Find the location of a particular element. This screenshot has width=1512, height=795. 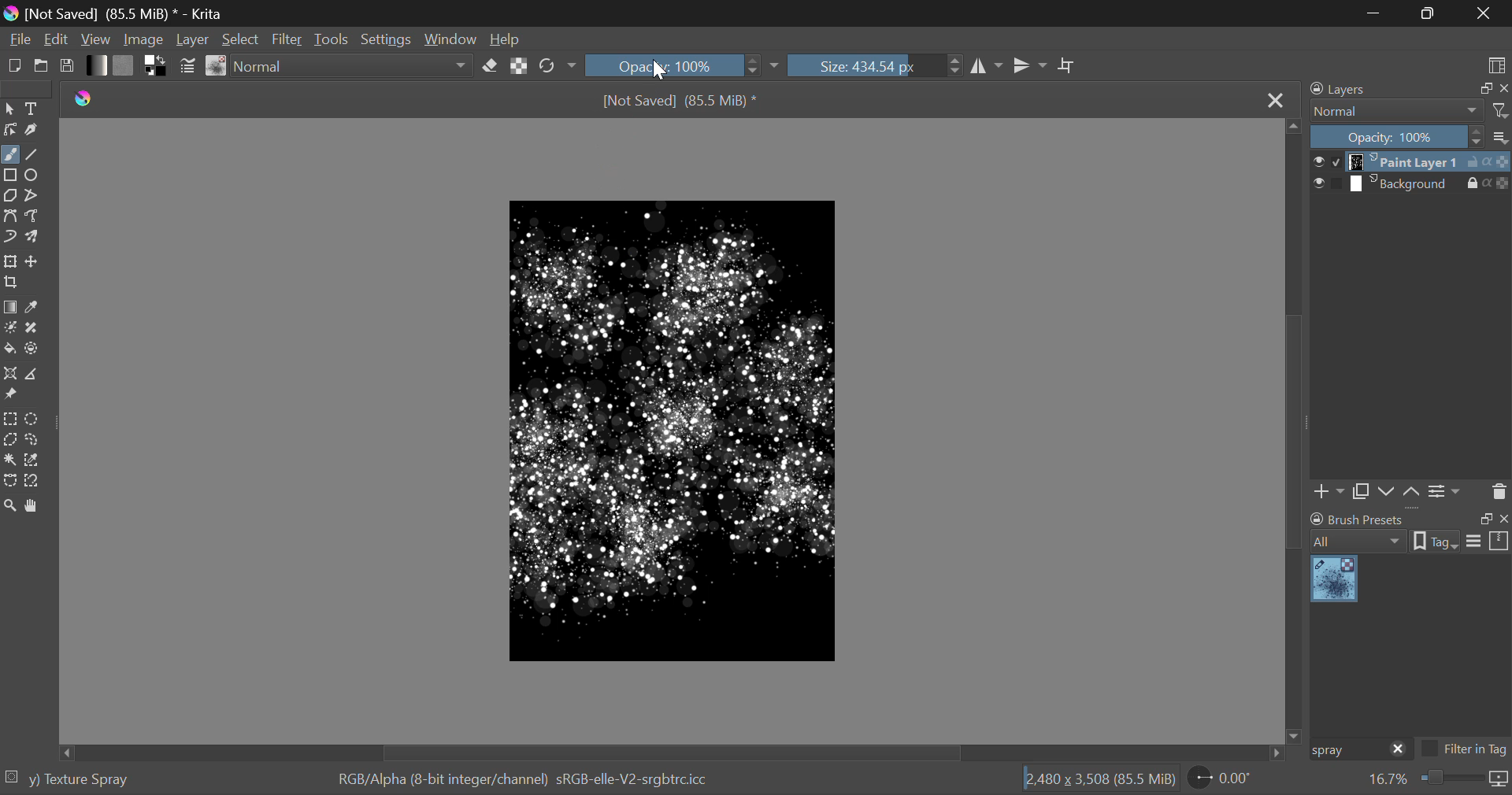

logo is located at coordinates (84, 99).